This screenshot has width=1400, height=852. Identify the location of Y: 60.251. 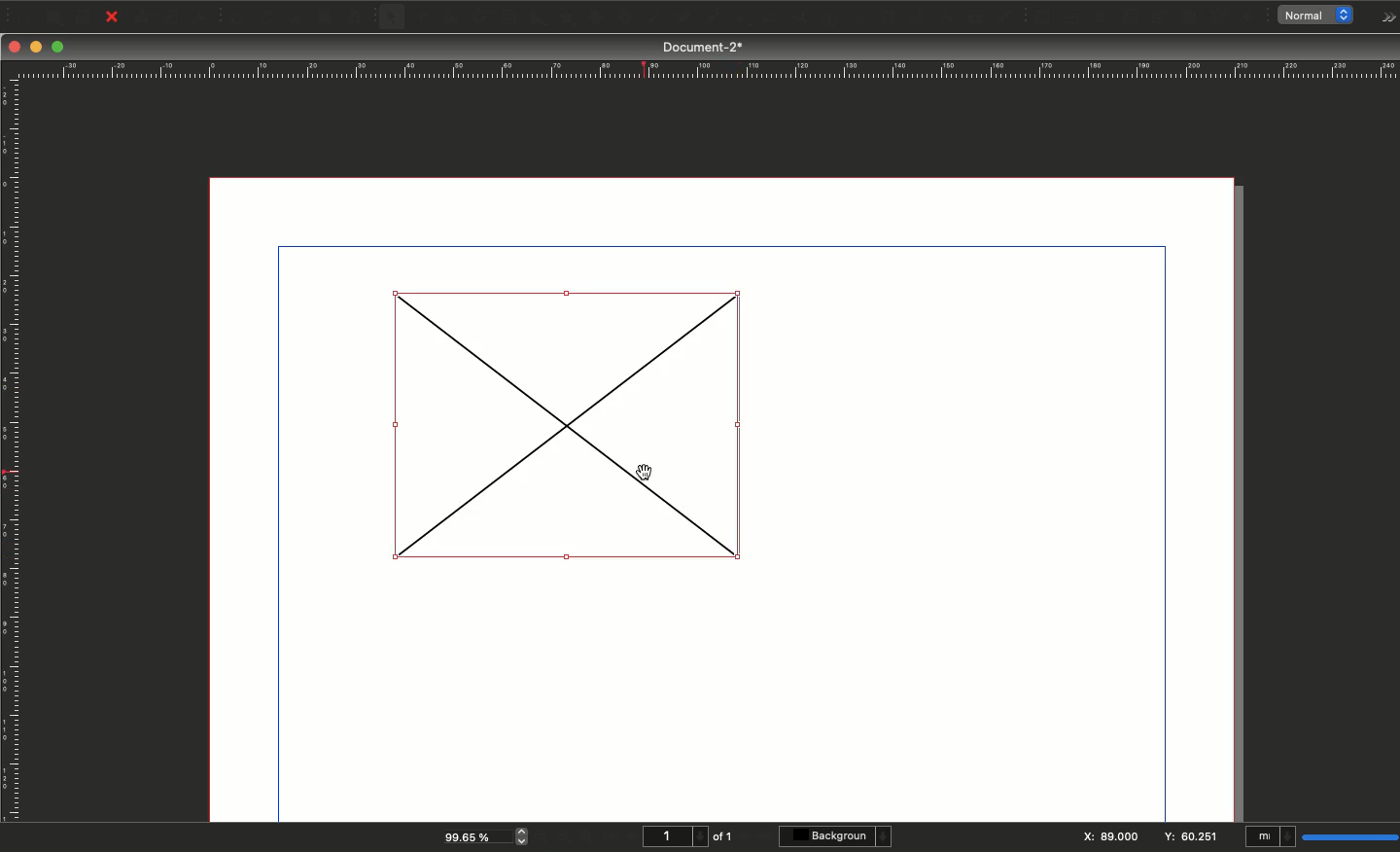
(1190, 836).